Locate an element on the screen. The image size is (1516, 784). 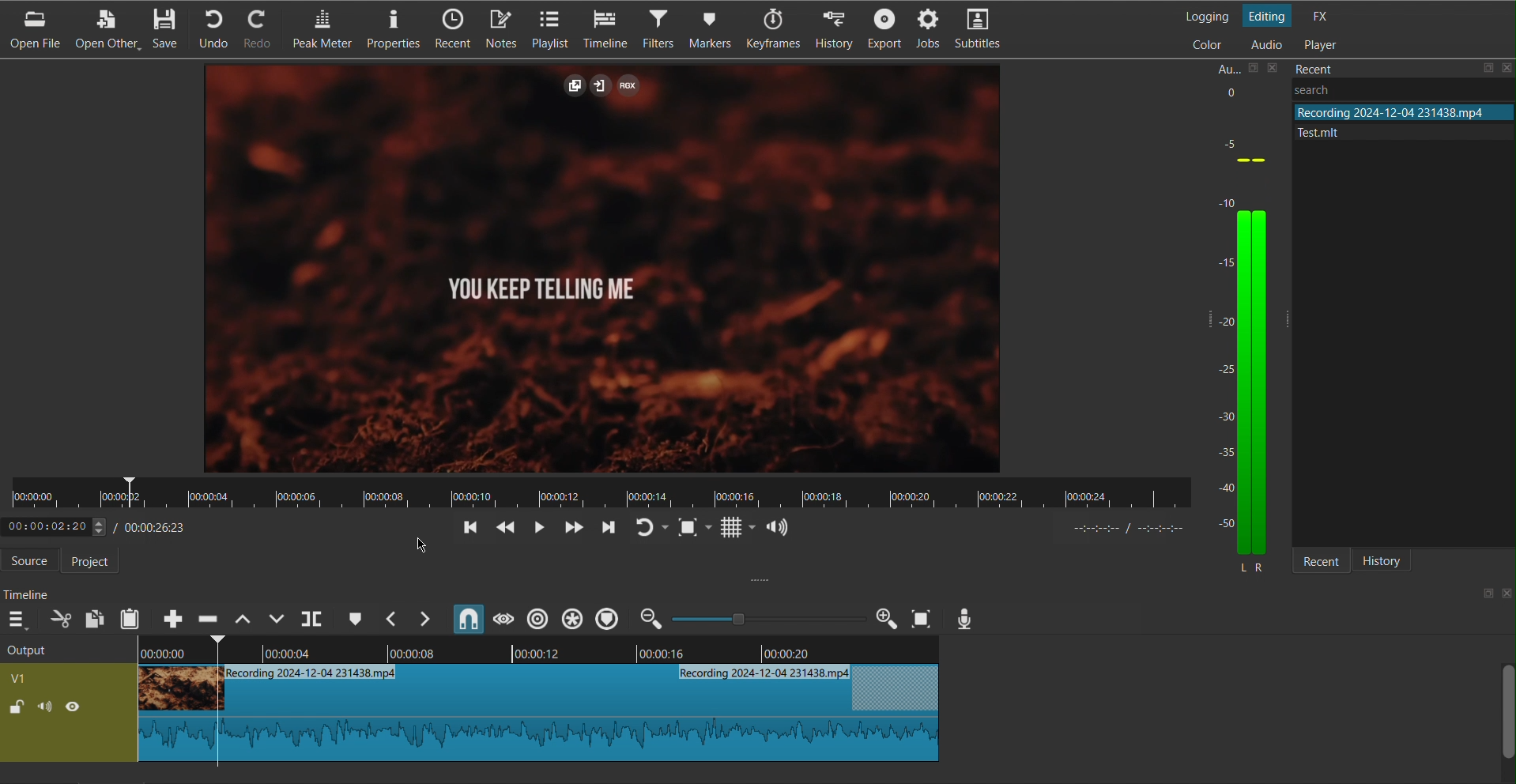
Playlist is located at coordinates (555, 28).